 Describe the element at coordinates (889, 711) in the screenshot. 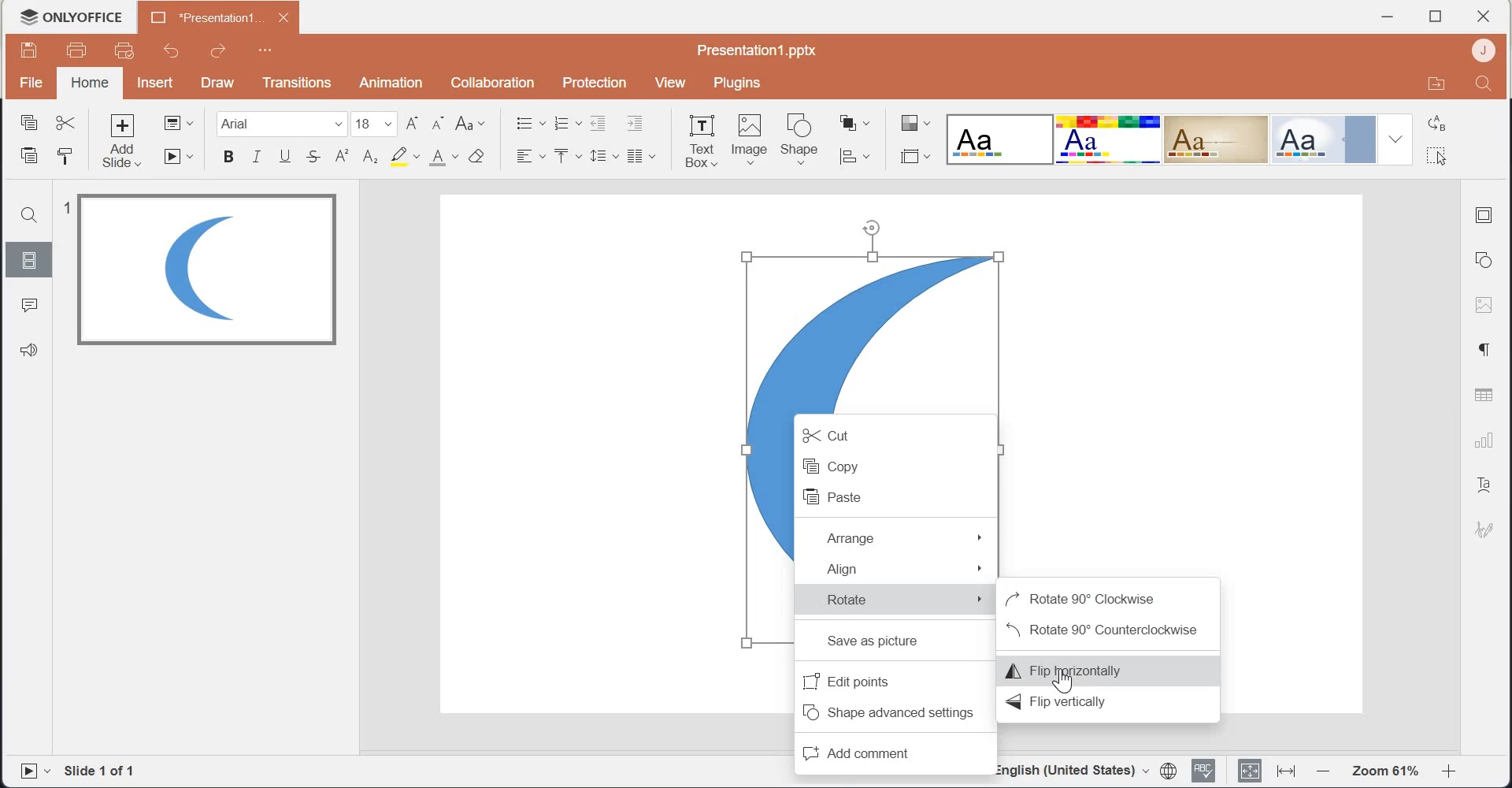

I see `Shape advanced settings` at that location.